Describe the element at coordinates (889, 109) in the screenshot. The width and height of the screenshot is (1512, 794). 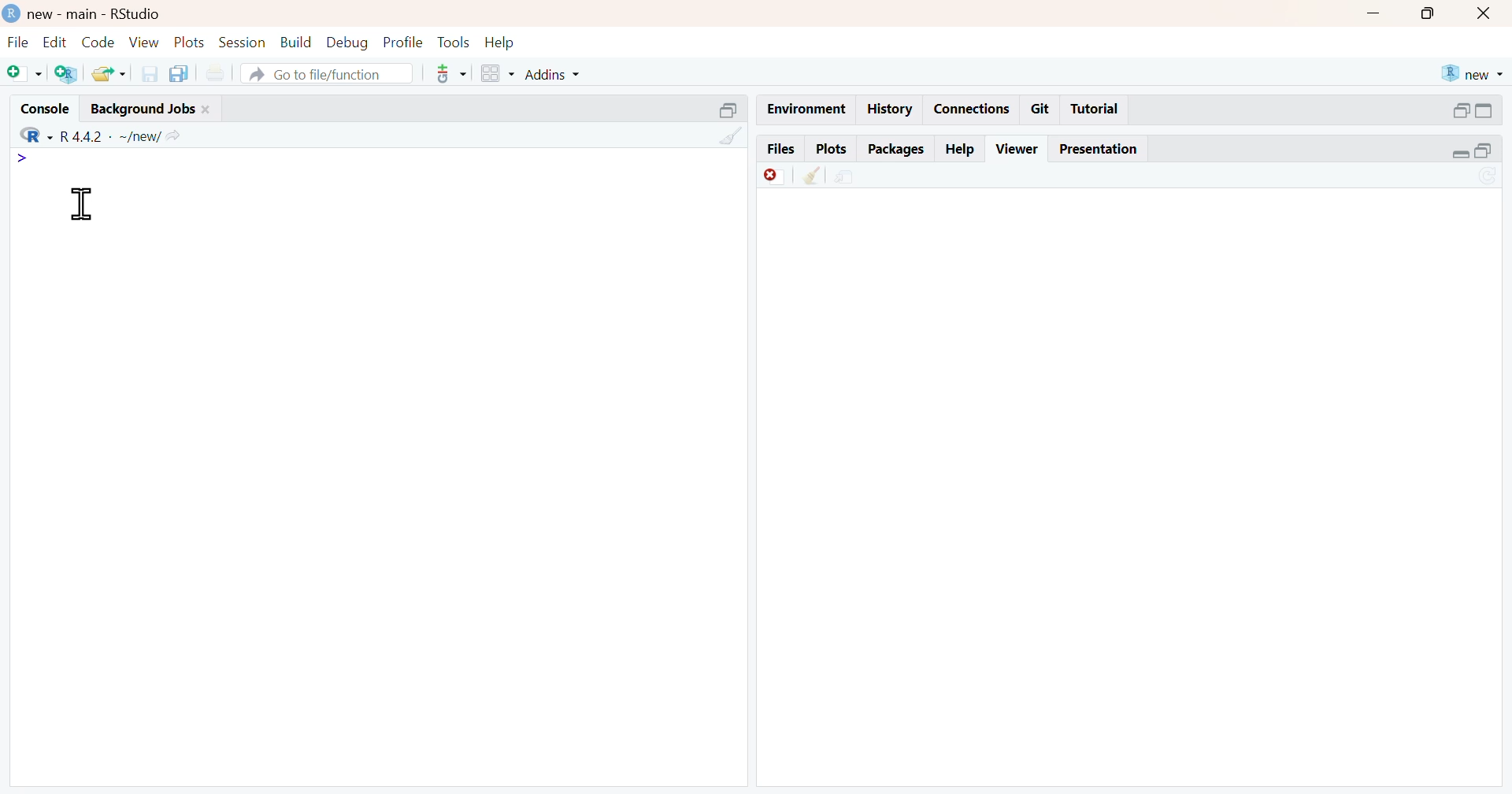
I see `history` at that location.